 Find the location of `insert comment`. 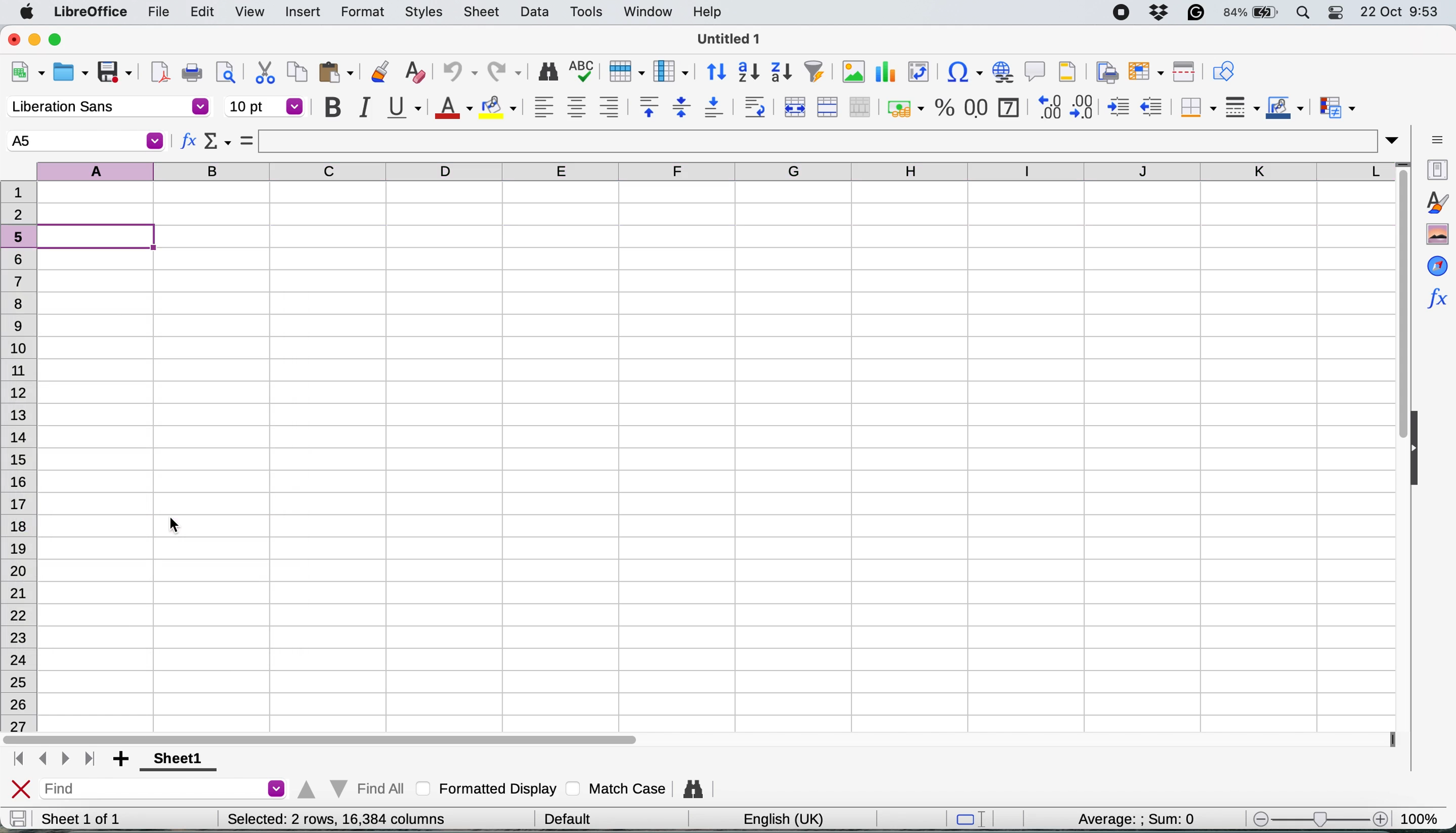

insert comment is located at coordinates (1036, 71).